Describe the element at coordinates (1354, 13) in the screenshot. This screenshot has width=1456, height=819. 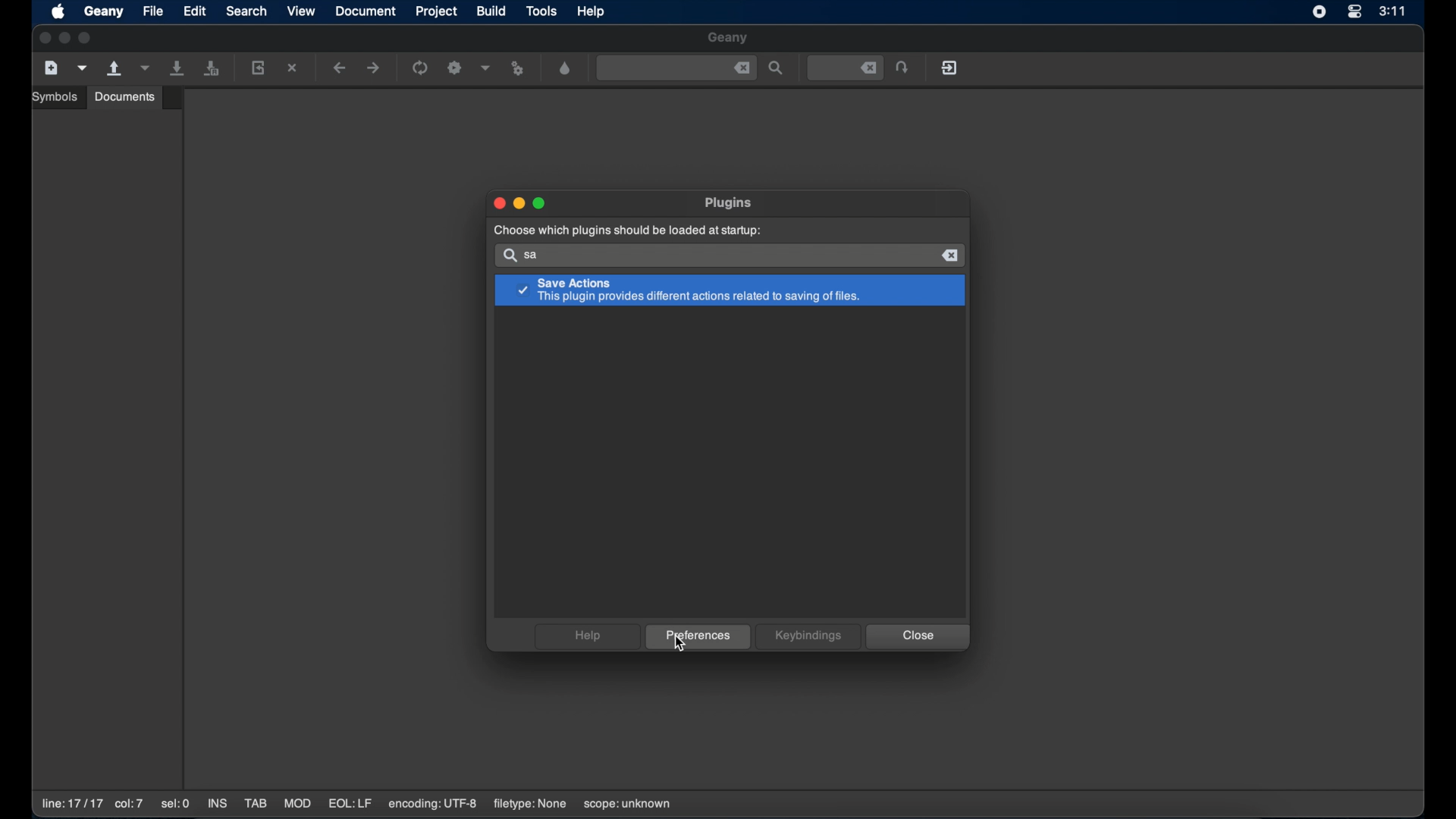
I see `control center` at that location.